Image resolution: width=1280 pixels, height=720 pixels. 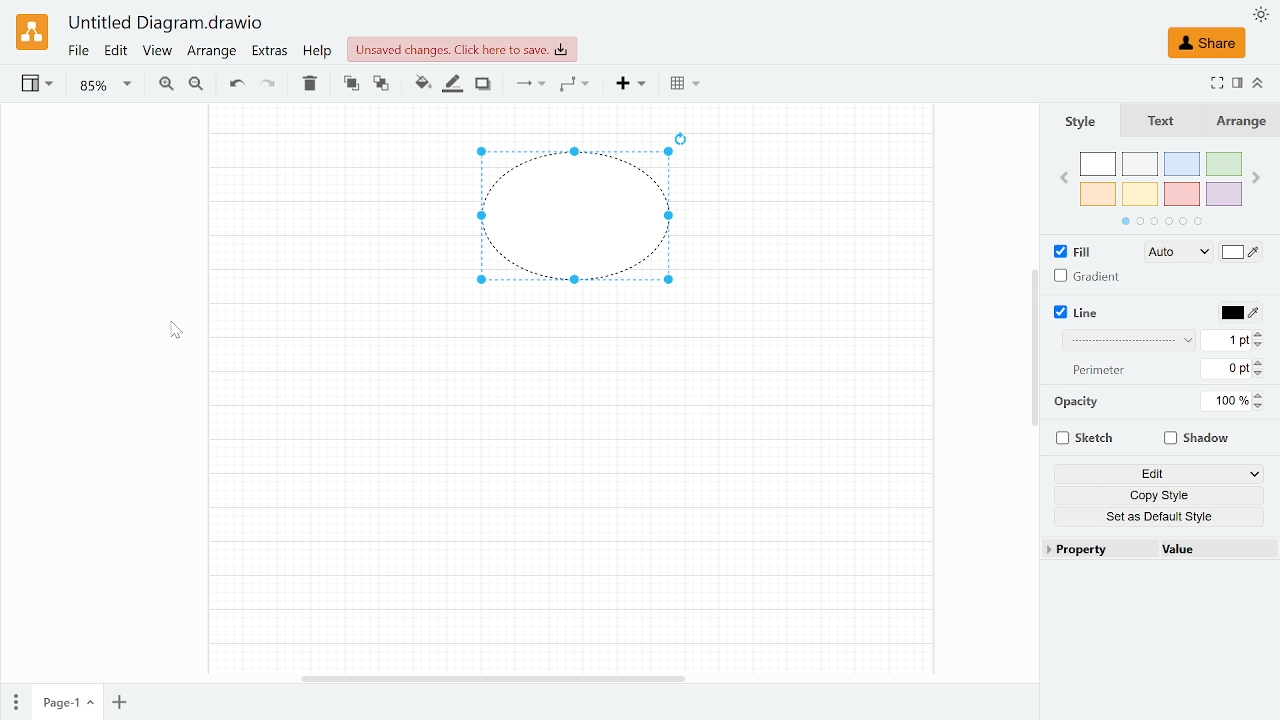 What do you see at coordinates (1170, 121) in the screenshot?
I see `Text` at bounding box center [1170, 121].